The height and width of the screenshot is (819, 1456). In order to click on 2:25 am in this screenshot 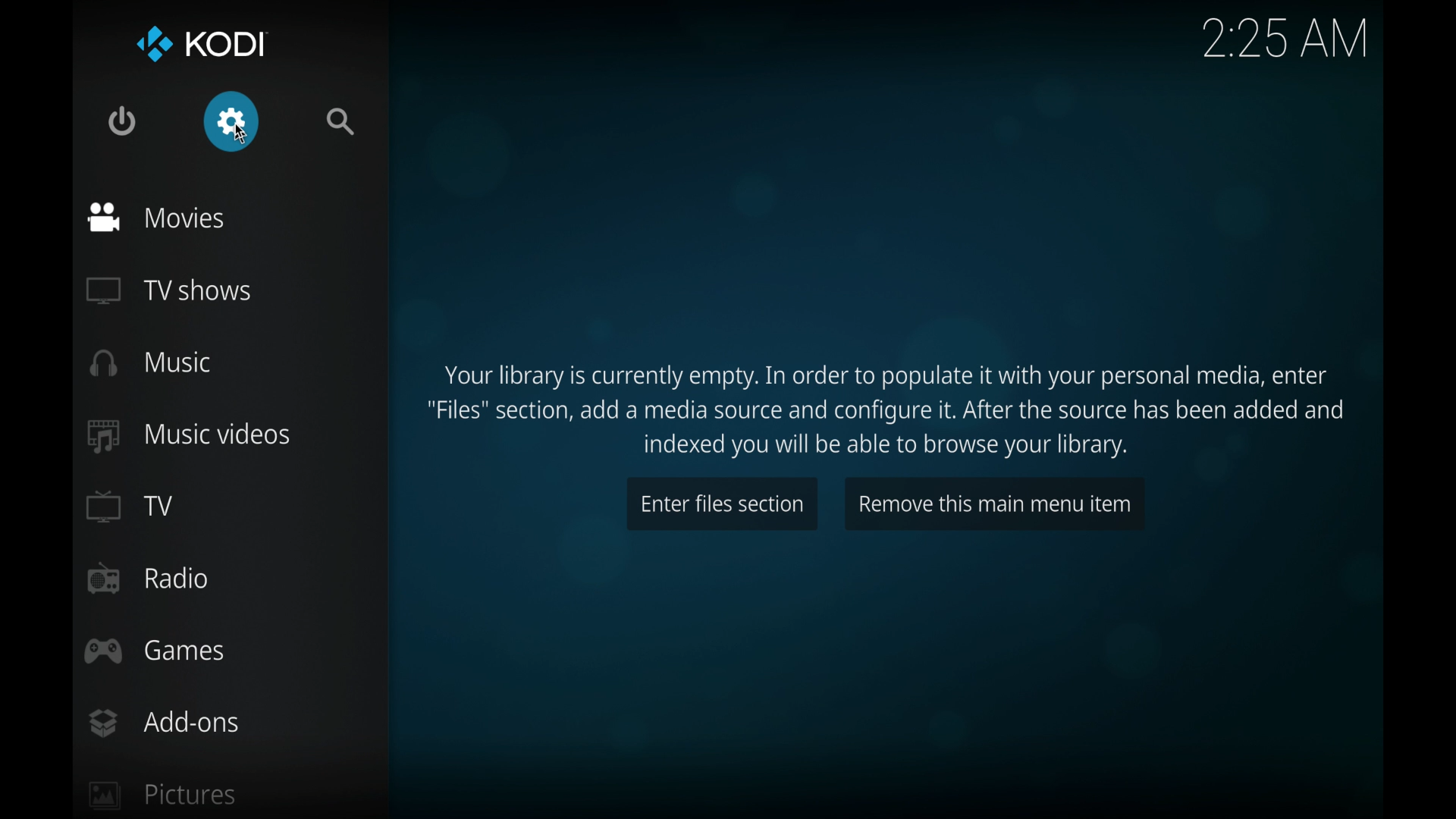, I will do `click(1282, 36)`.